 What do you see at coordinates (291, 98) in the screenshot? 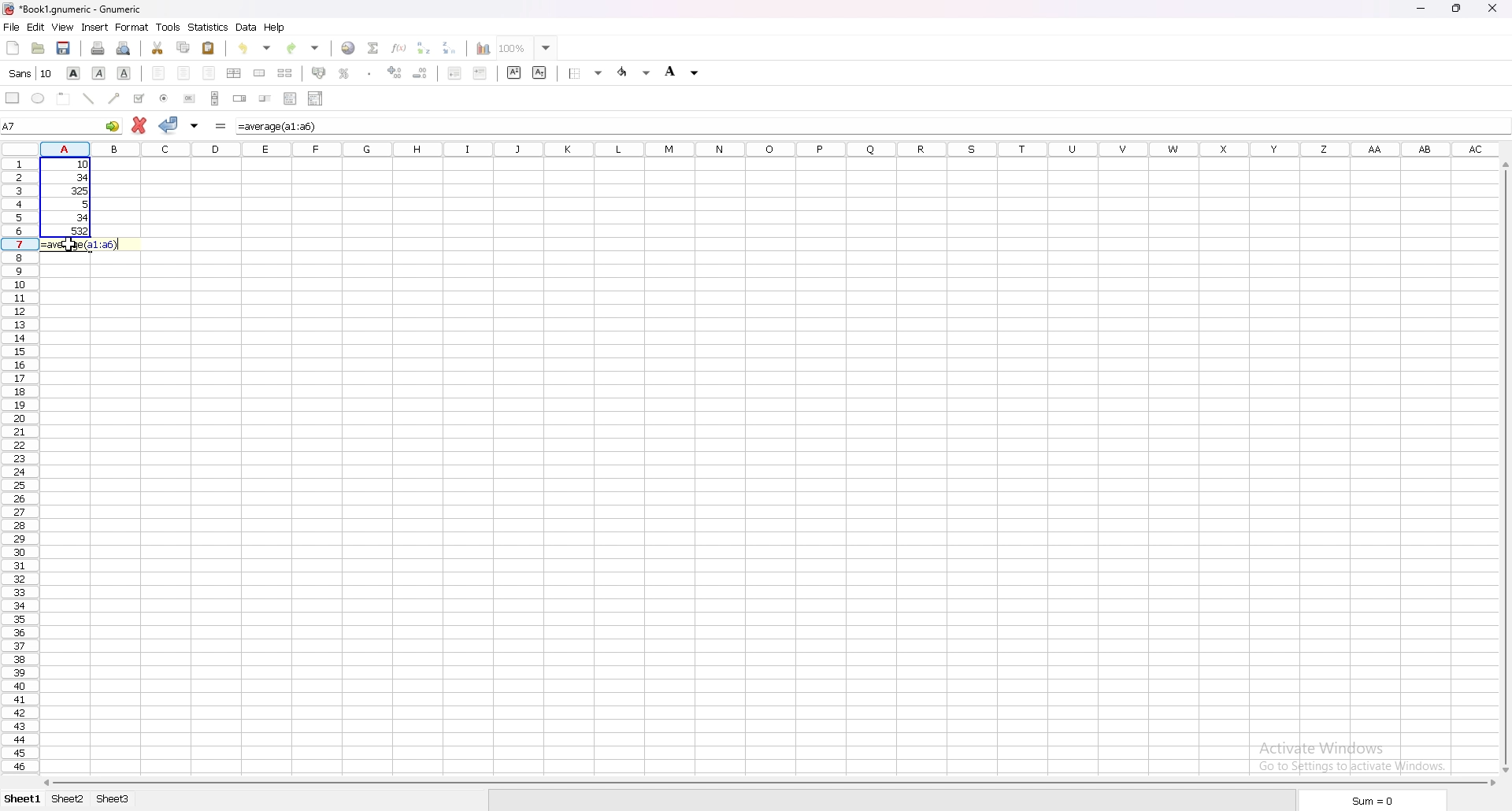
I see `list` at bounding box center [291, 98].